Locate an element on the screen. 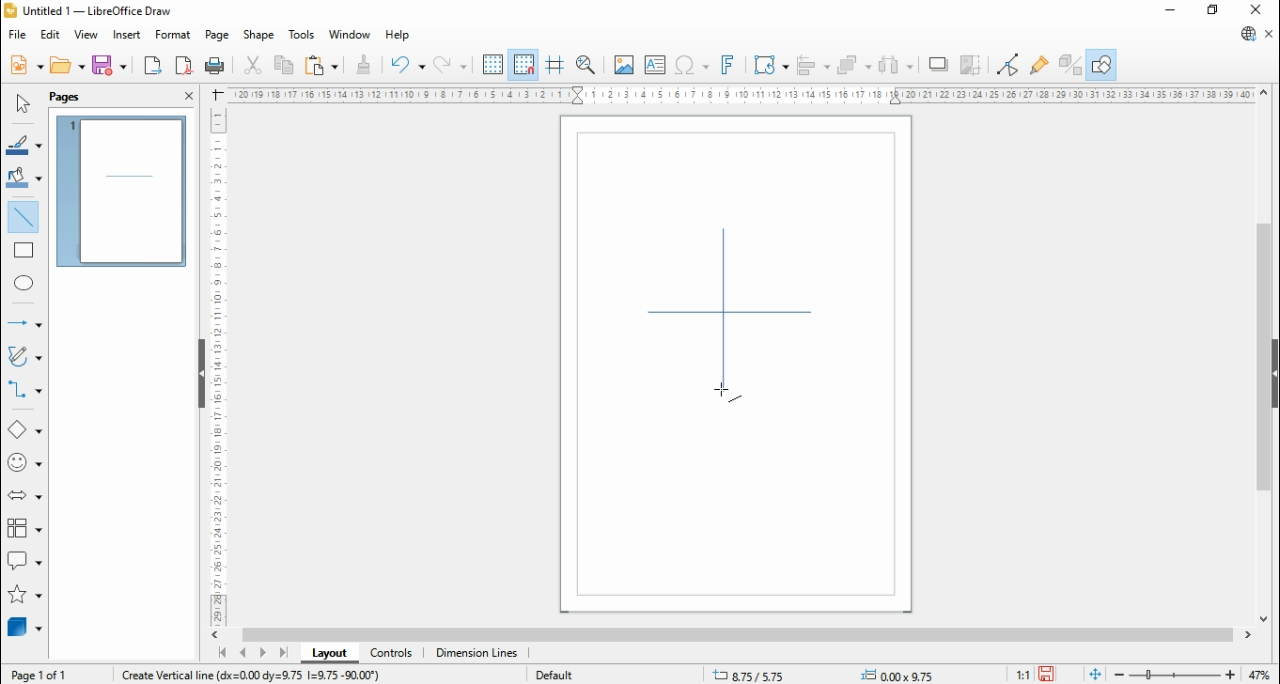  rectangle is located at coordinates (24, 250).